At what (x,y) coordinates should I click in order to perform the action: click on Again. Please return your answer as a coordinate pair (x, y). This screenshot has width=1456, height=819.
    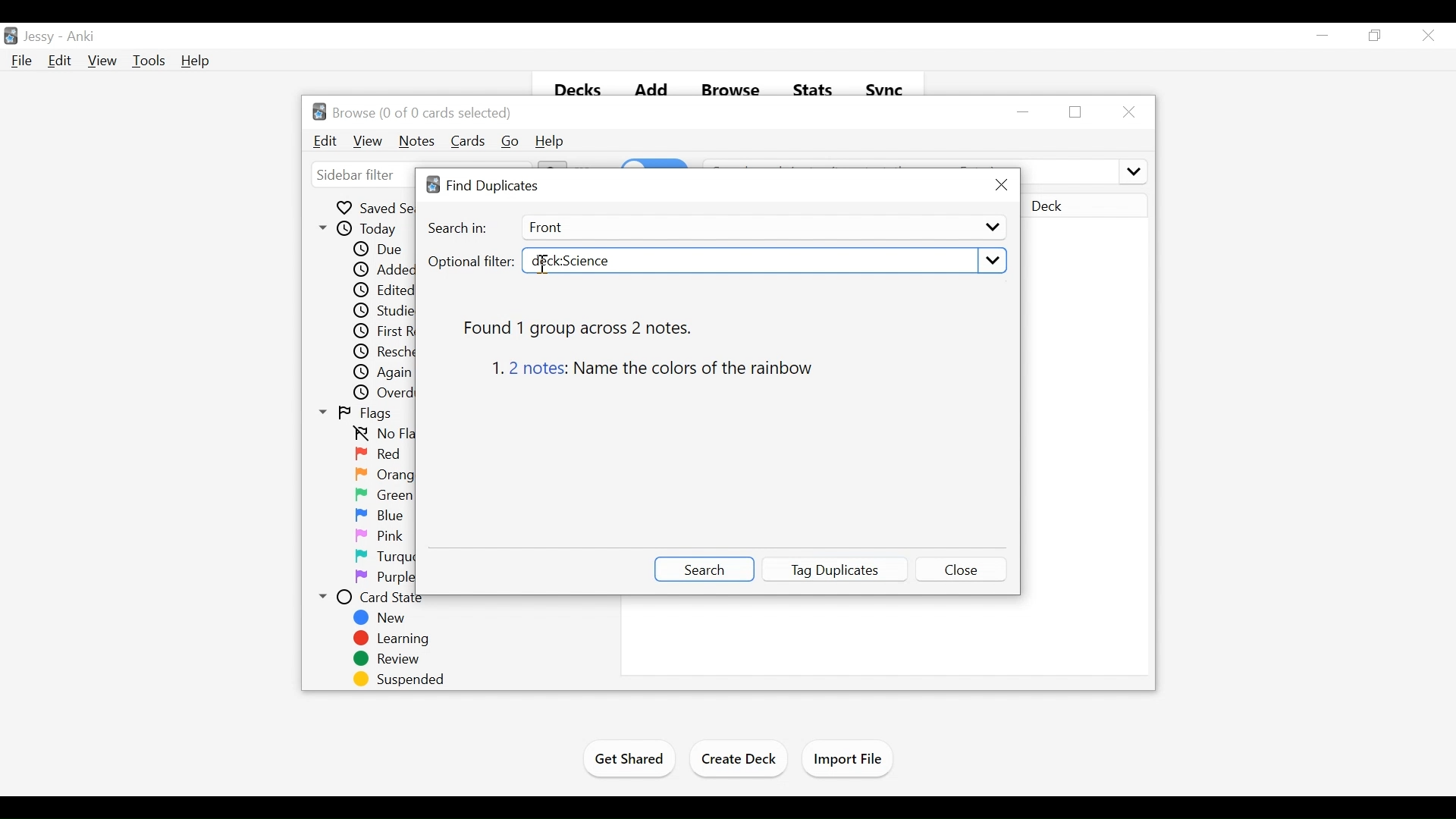
    Looking at the image, I should click on (384, 373).